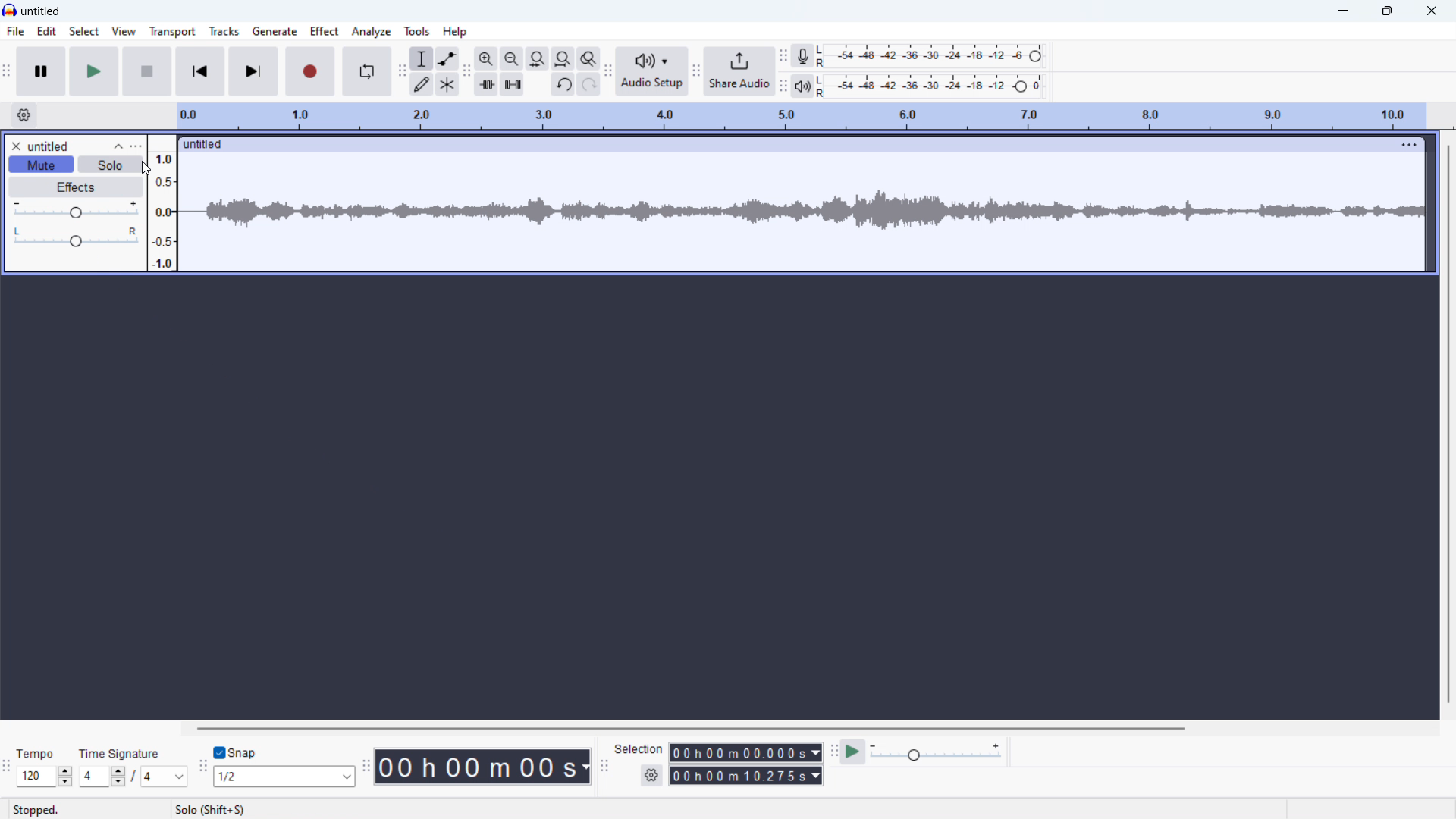  What do you see at coordinates (6, 74) in the screenshot?
I see `transport toolbar` at bounding box center [6, 74].